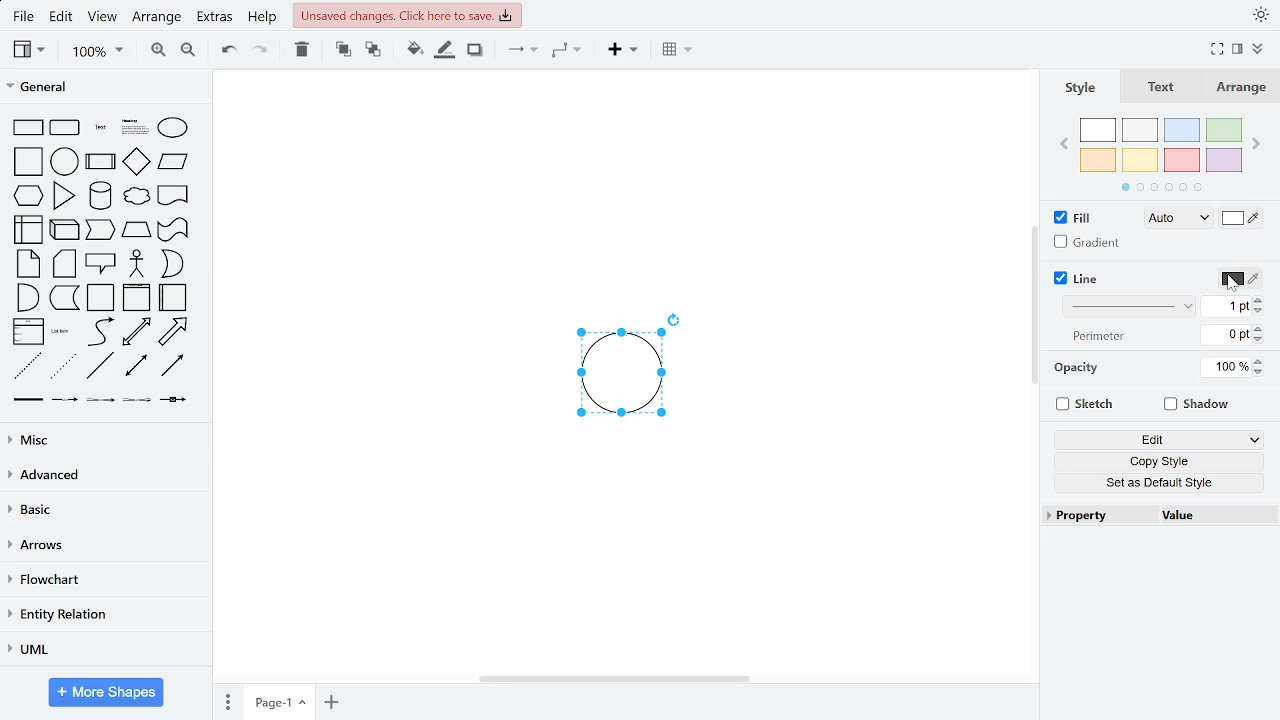 Image resolution: width=1280 pixels, height=720 pixels. Describe the element at coordinates (175, 366) in the screenshot. I see `directional connector` at that location.